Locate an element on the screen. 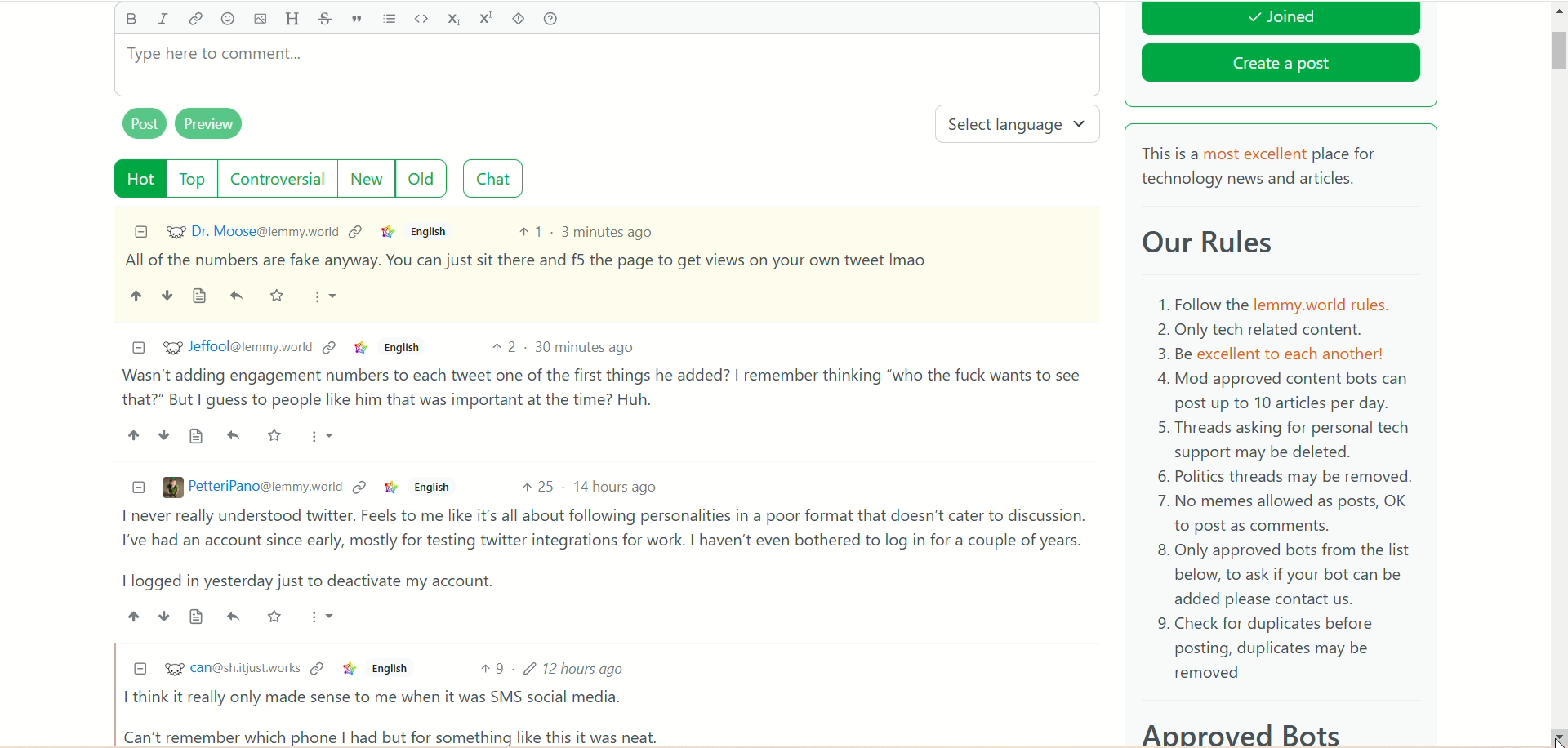  Upvote  is located at coordinates (132, 616).